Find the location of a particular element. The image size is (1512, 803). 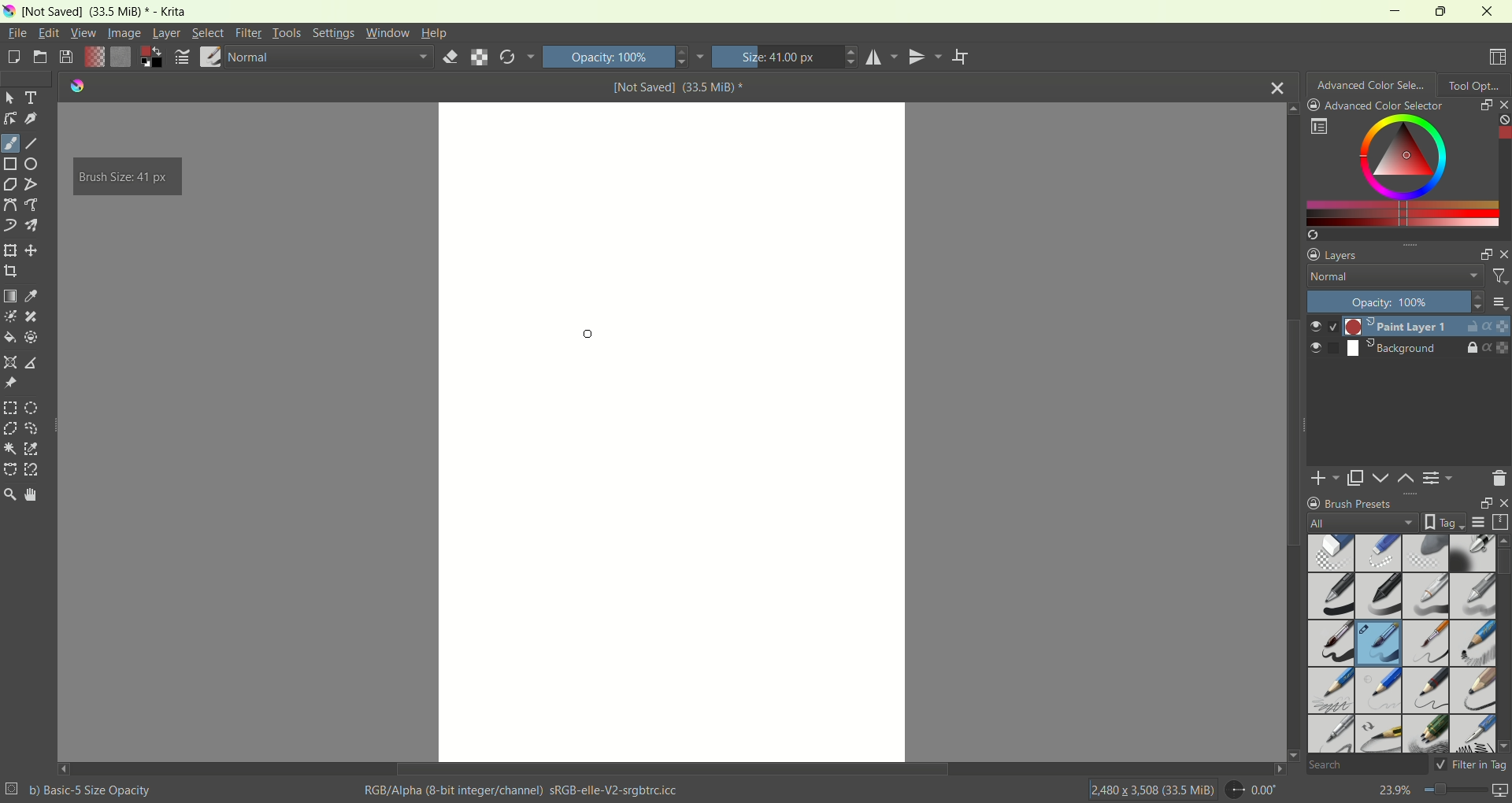

move layer down is located at coordinates (1382, 478).